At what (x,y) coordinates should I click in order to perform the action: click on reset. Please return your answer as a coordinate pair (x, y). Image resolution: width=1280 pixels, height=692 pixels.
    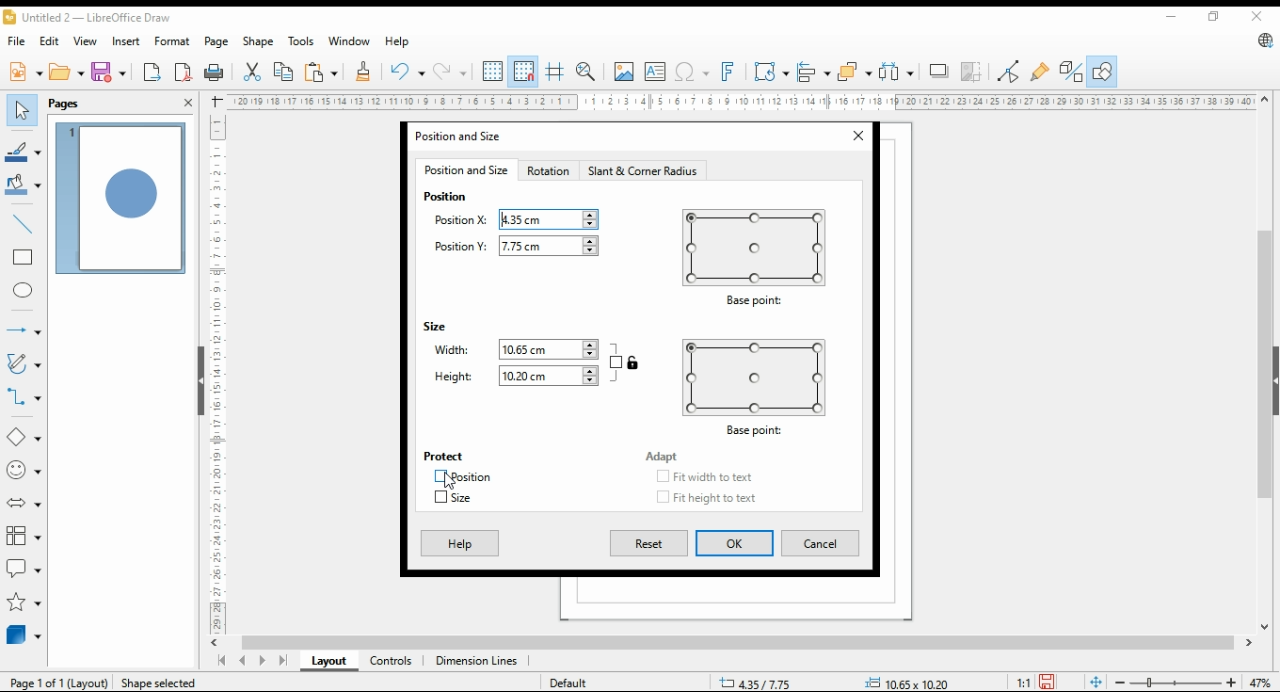
    Looking at the image, I should click on (652, 542).